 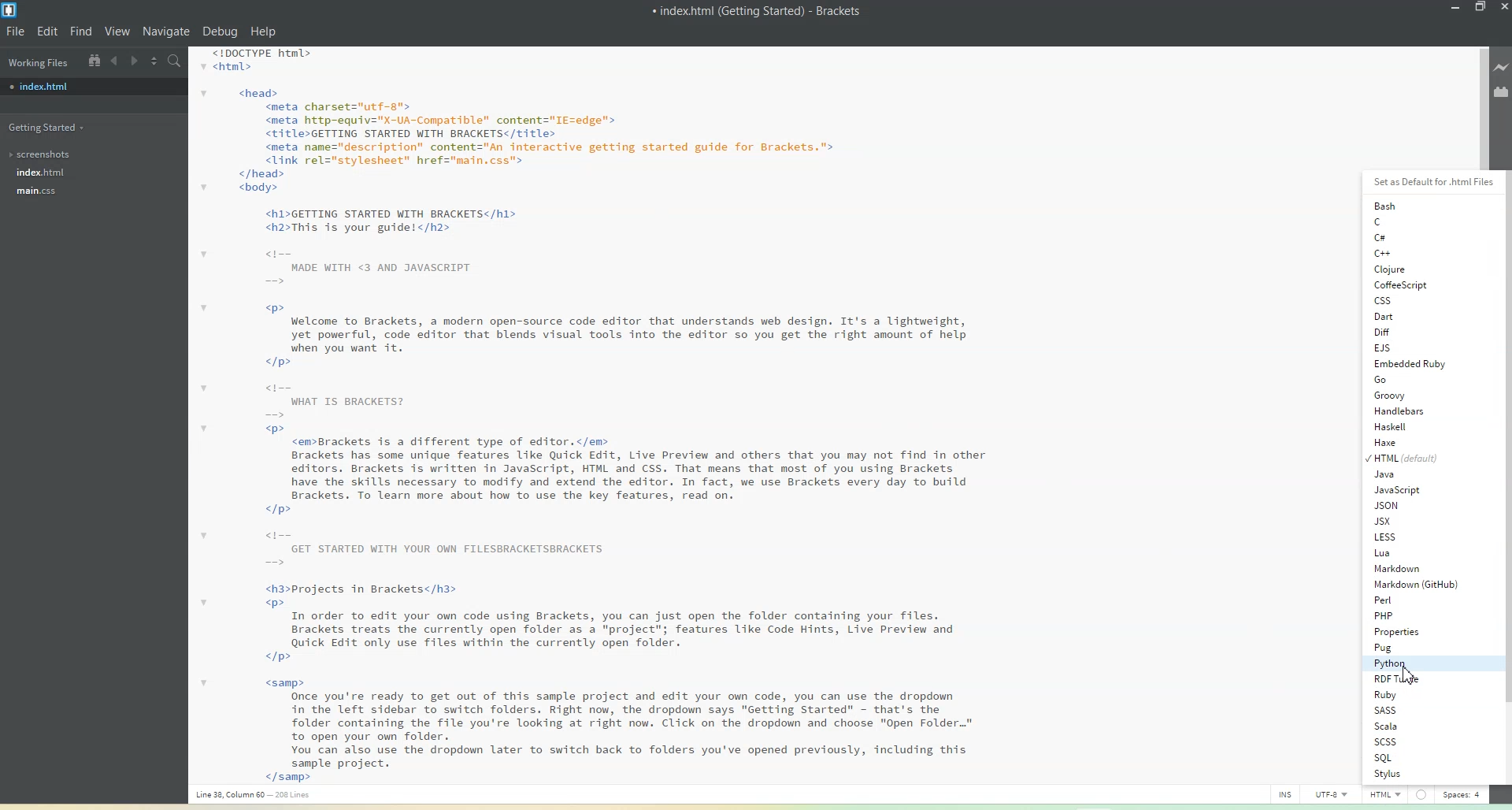 I want to click on CoffeeScript, so click(x=1399, y=285).